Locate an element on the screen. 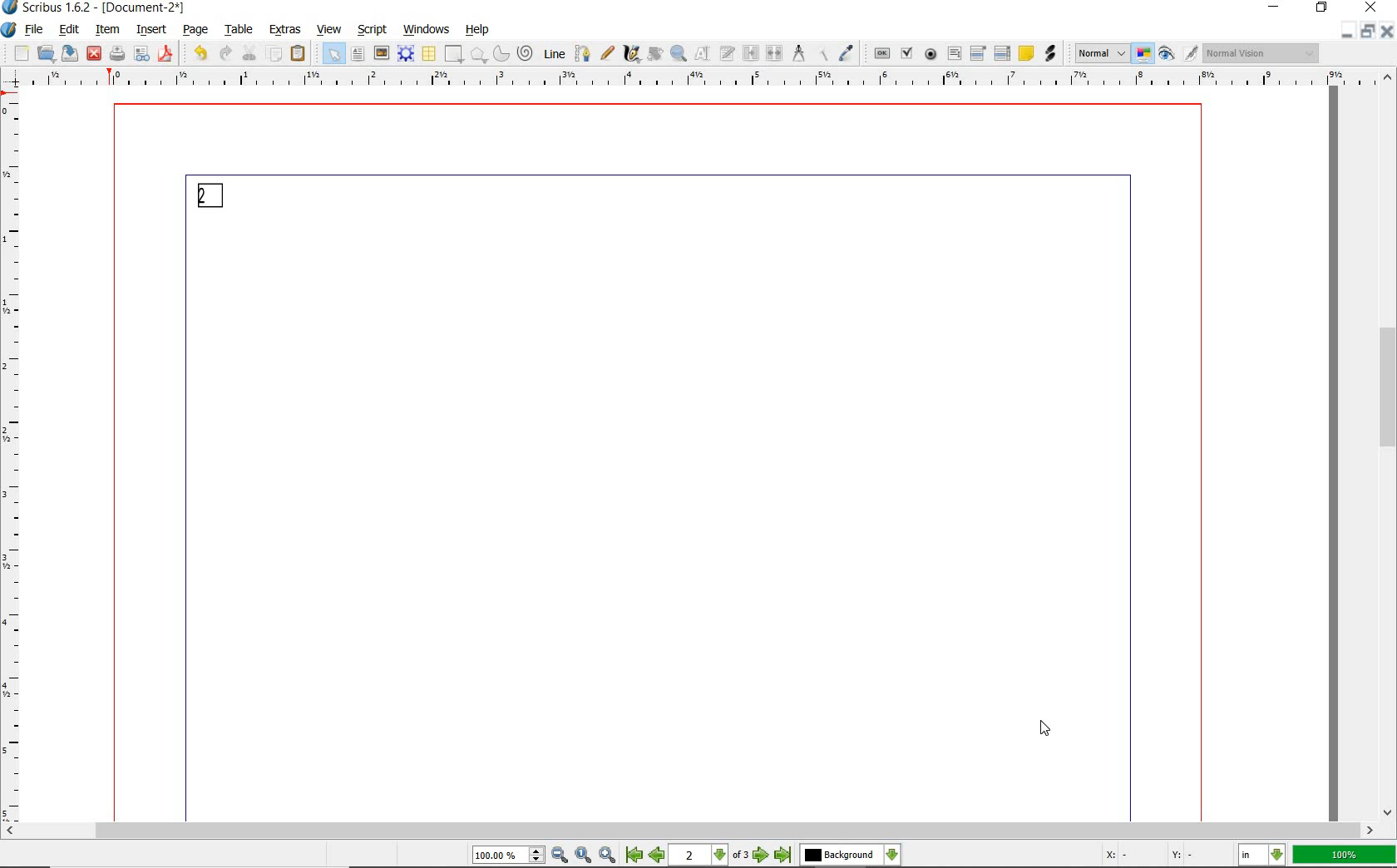 The image size is (1397, 868). save as pdf is located at coordinates (165, 54).